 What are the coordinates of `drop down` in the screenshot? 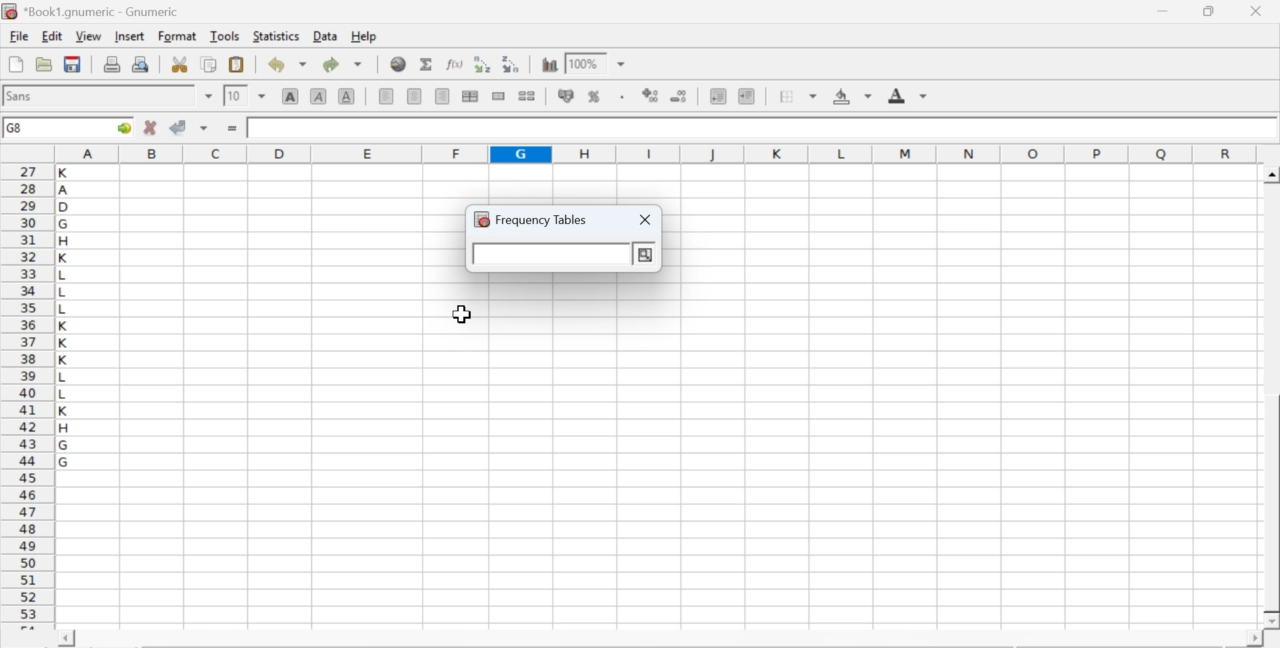 It's located at (622, 65).